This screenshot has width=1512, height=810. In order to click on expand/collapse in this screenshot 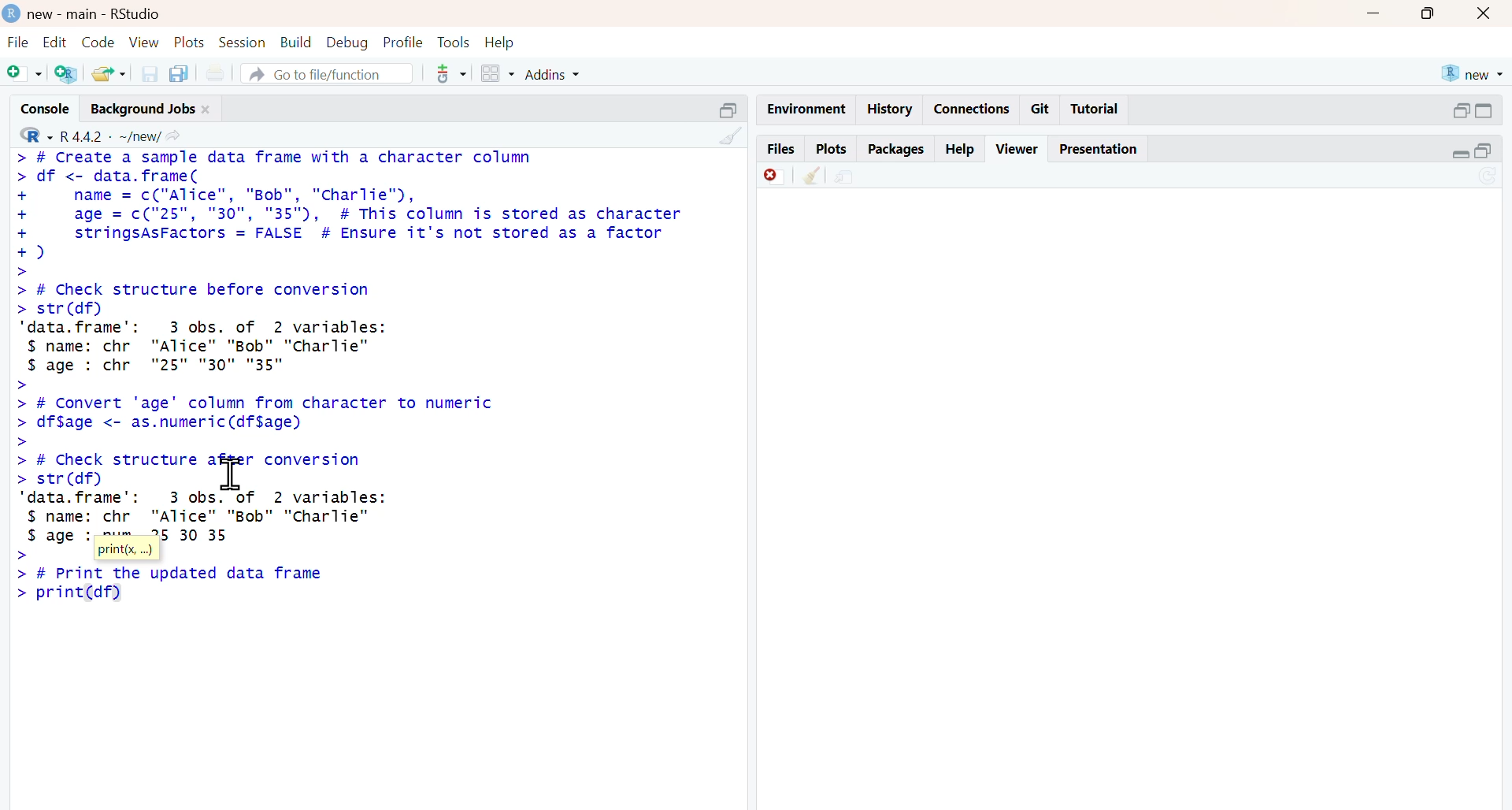, I will do `click(1462, 154)`.